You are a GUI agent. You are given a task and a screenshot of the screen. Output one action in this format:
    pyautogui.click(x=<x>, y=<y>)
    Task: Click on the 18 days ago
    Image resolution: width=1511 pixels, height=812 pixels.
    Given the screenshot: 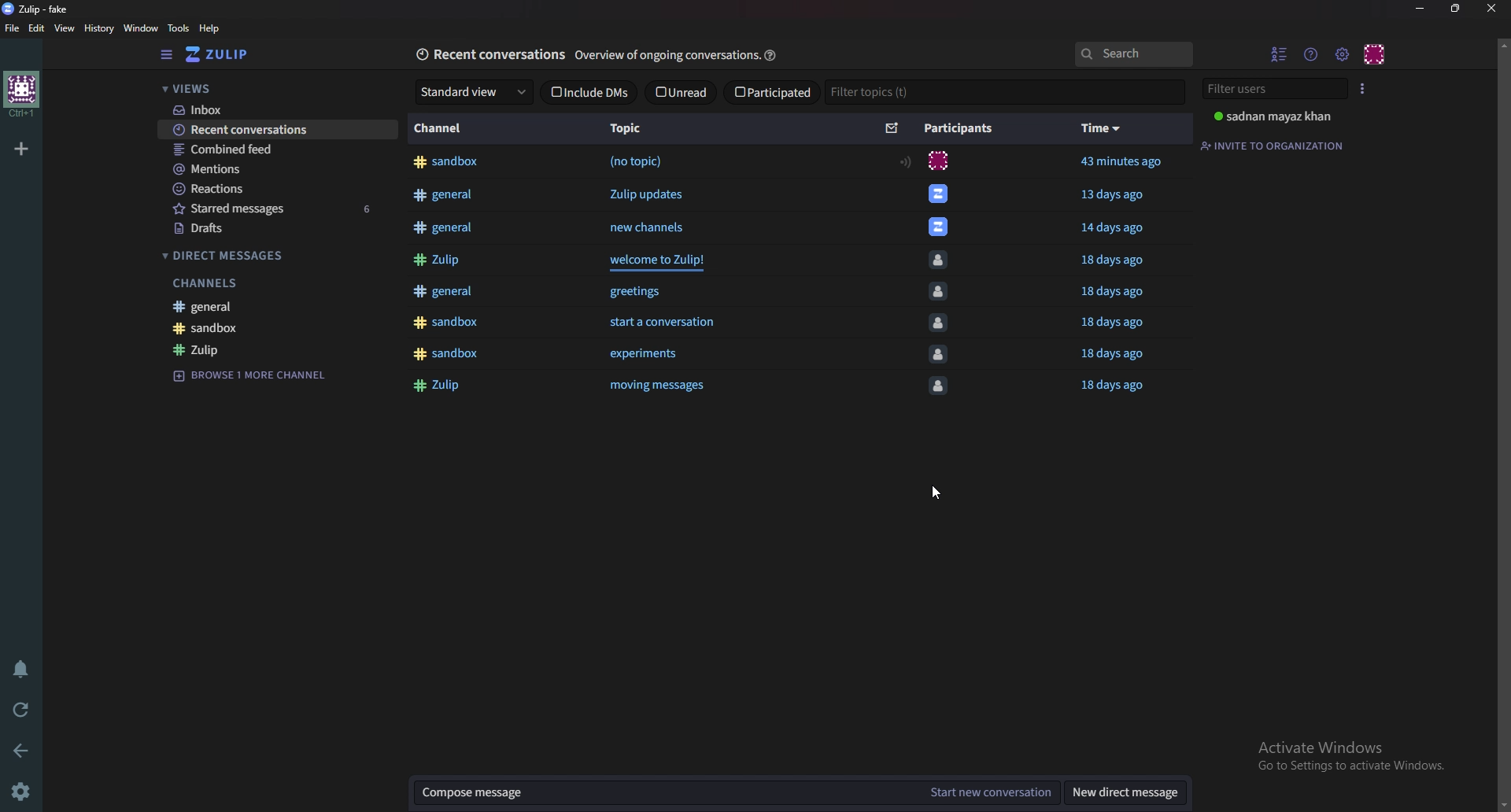 What is the action you would take?
    pyautogui.click(x=1119, y=297)
    